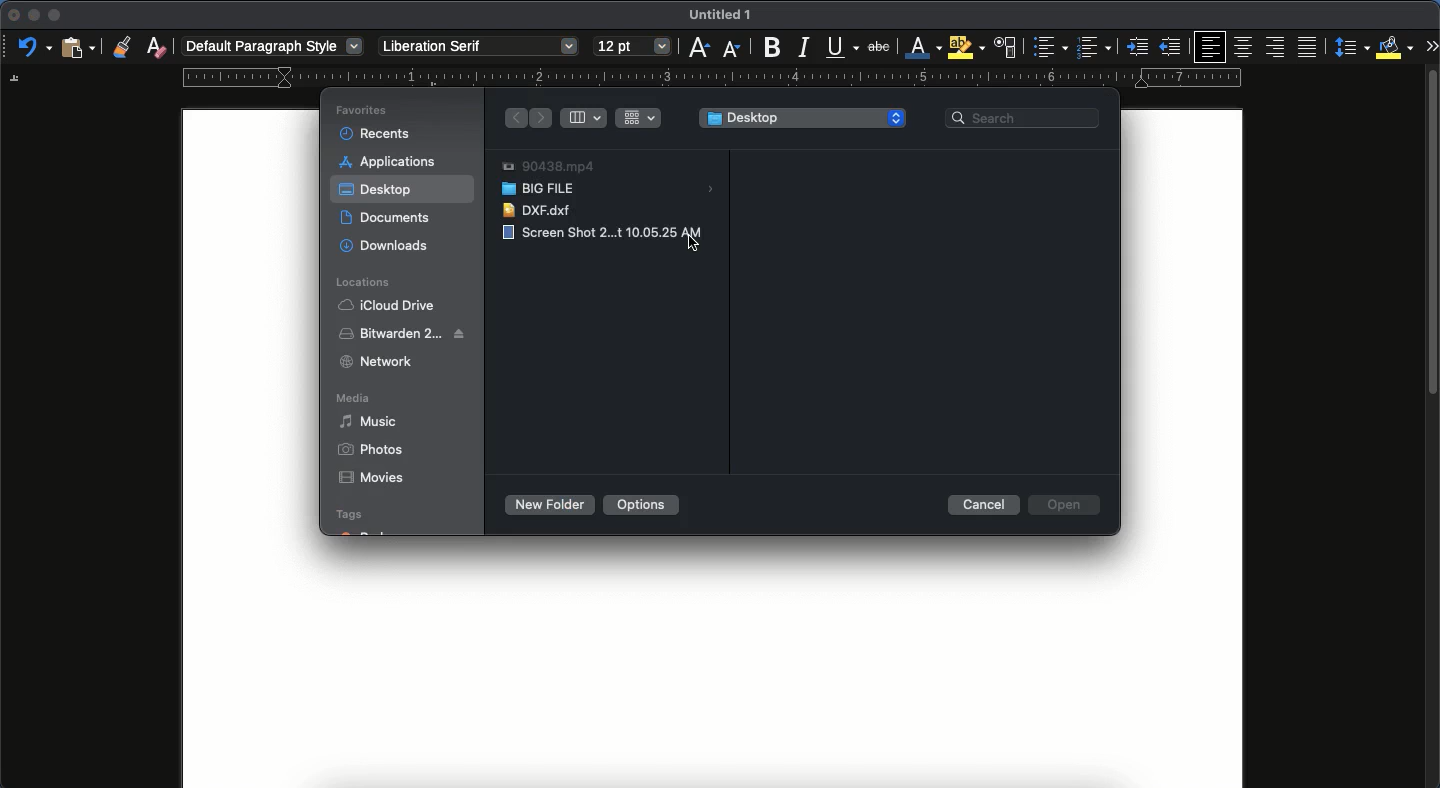  I want to click on open, so click(1067, 505).